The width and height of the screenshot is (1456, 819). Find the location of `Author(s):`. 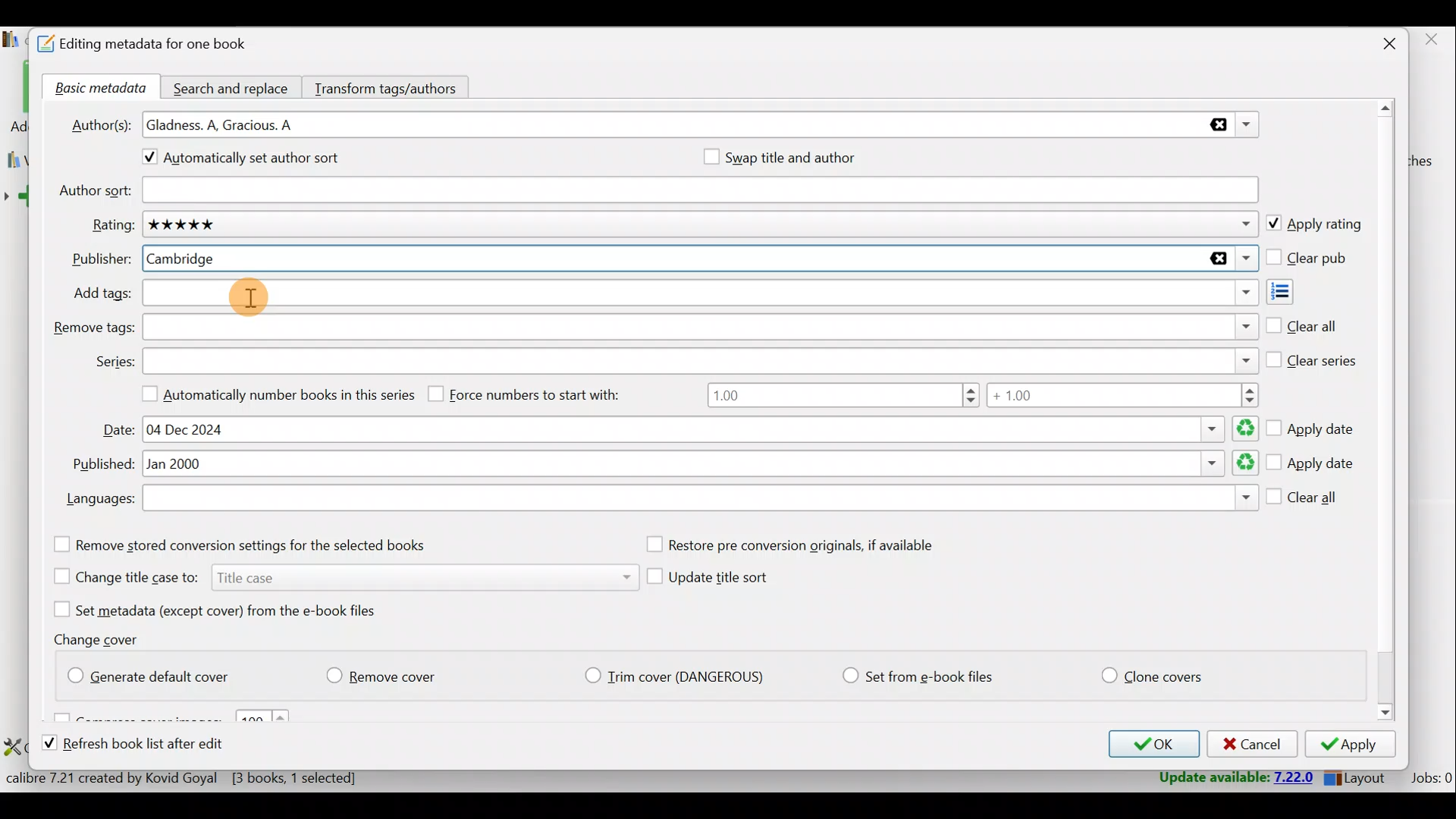

Author(s): is located at coordinates (101, 123).